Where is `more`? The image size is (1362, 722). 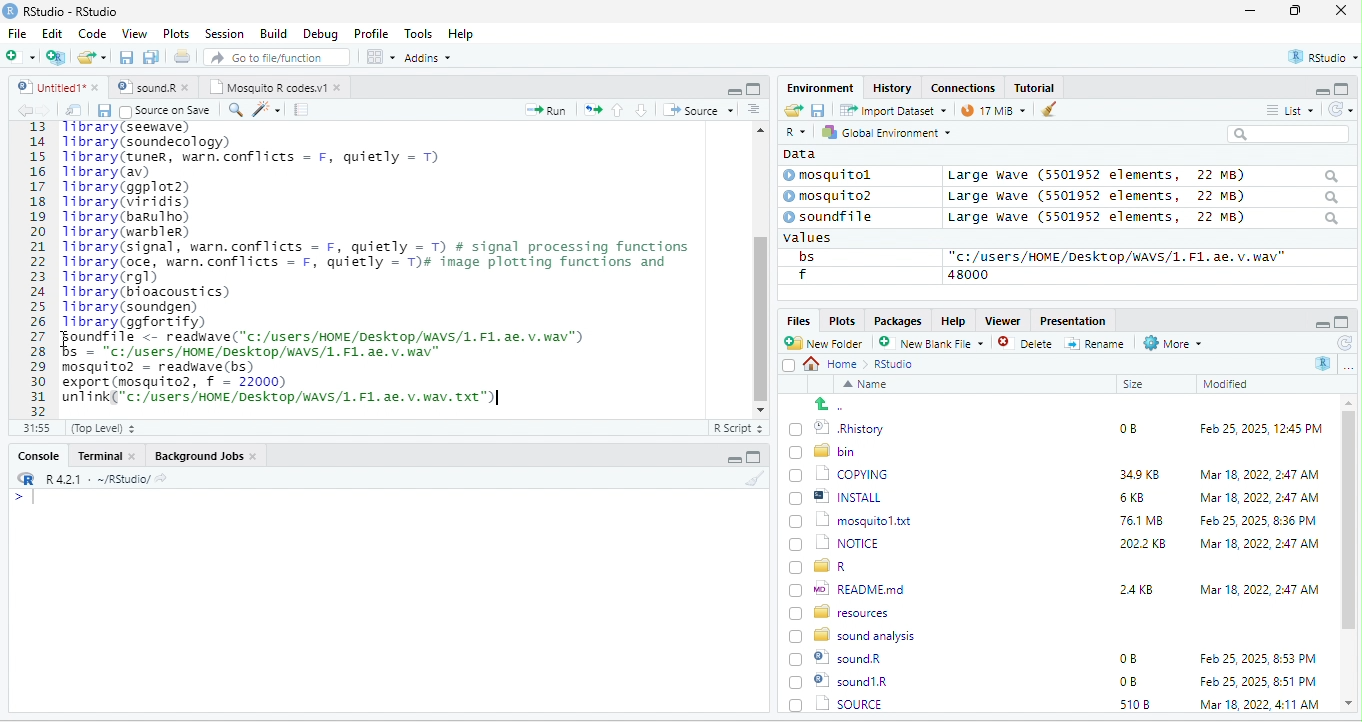 more is located at coordinates (1348, 366).